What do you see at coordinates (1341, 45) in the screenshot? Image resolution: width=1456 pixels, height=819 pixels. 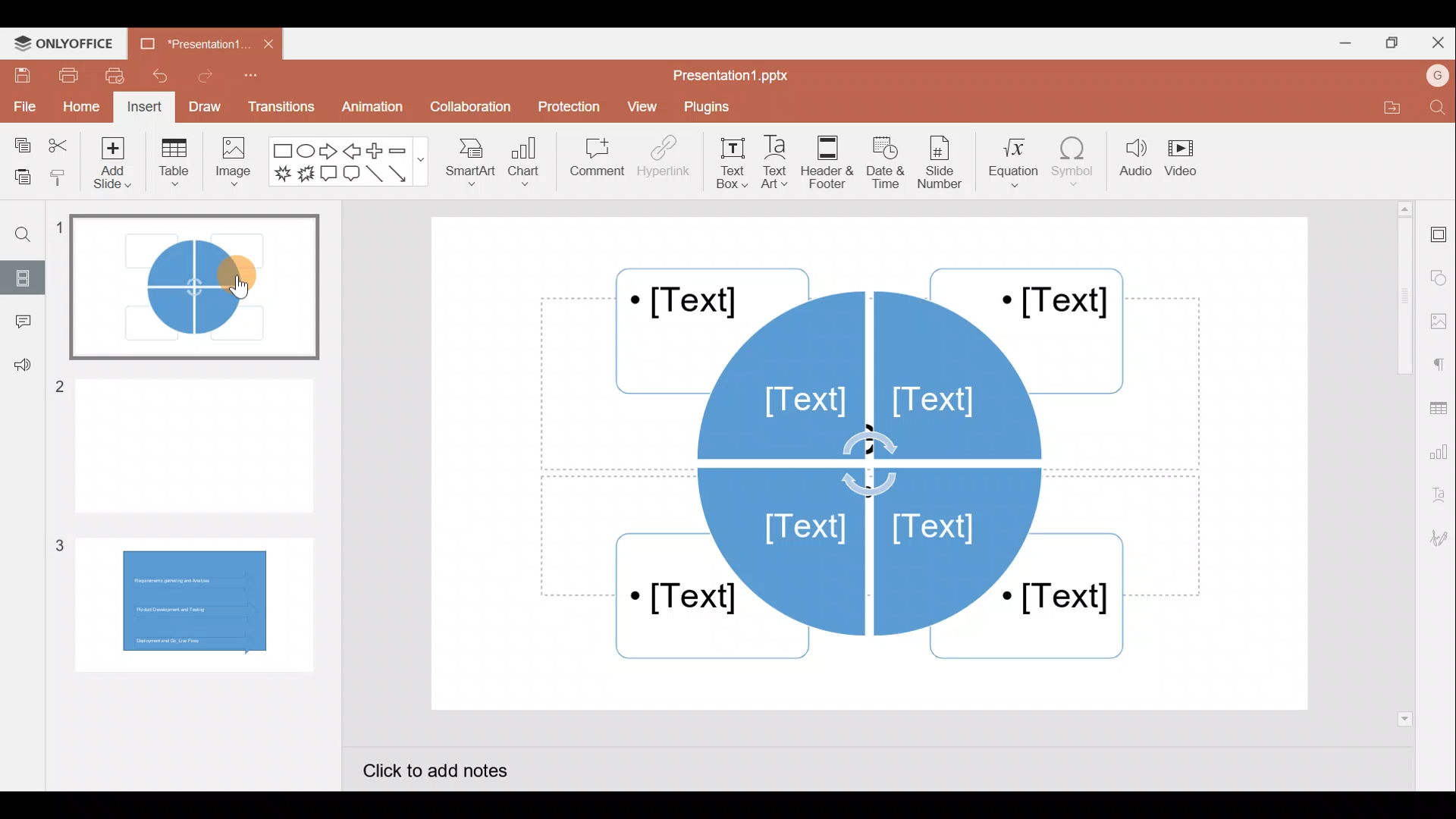 I see `Minimize` at bounding box center [1341, 45].